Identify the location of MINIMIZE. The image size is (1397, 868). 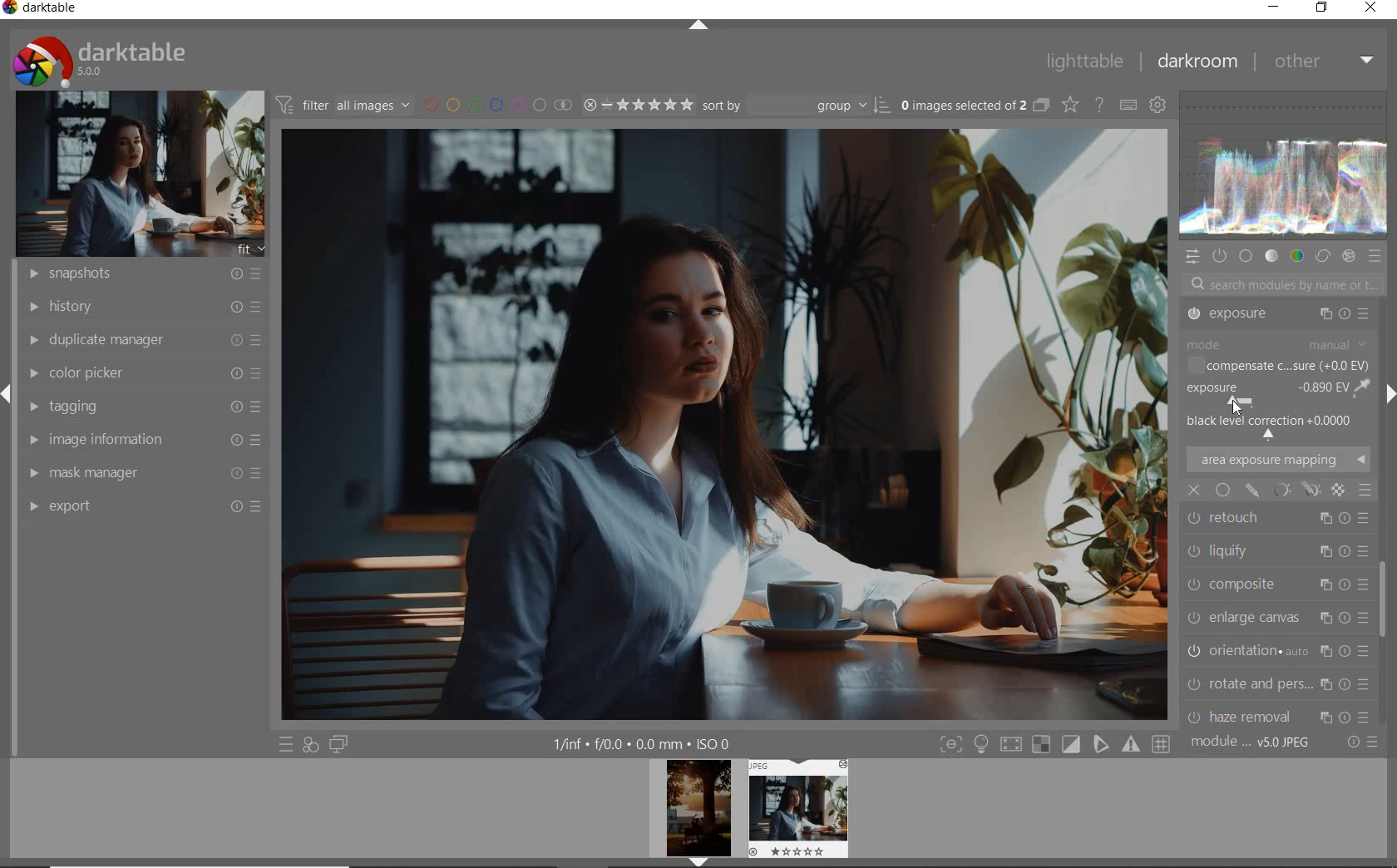
(1271, 7).